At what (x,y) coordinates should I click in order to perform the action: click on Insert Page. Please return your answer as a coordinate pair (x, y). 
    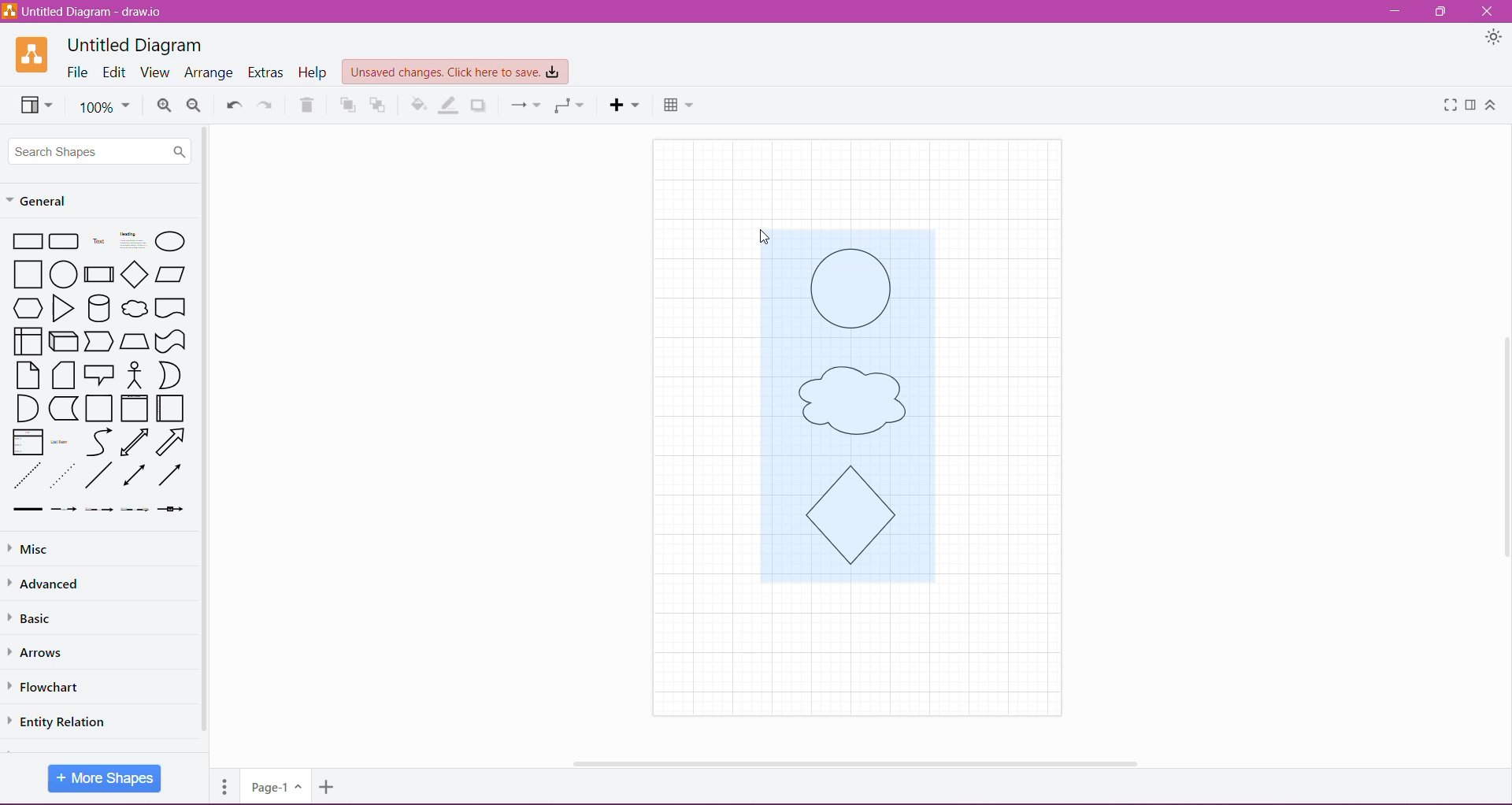
    Looking at the image, I should click on (328, 789).